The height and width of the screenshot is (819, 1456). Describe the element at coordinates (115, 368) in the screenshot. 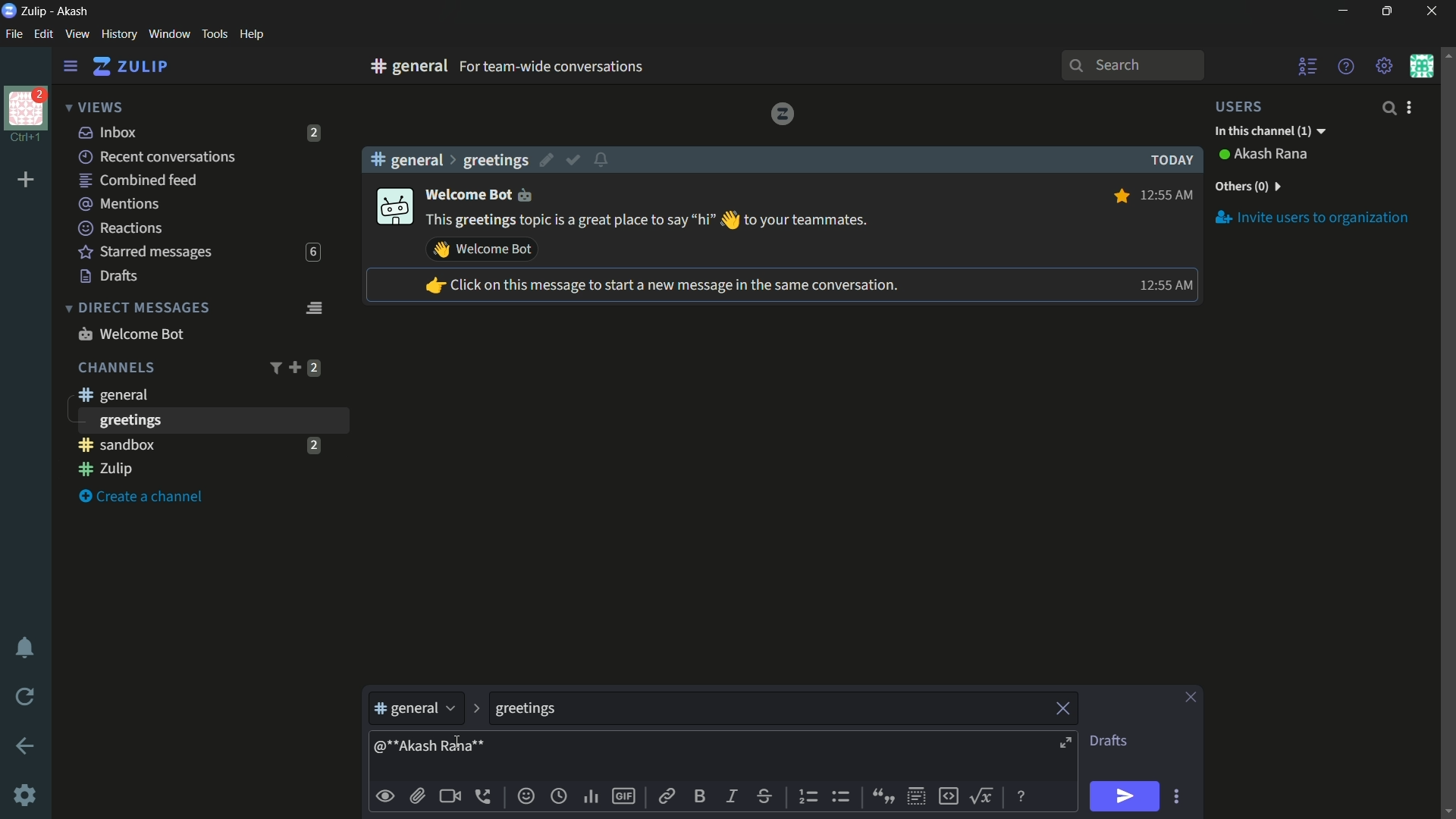

I see `channels` at that location.